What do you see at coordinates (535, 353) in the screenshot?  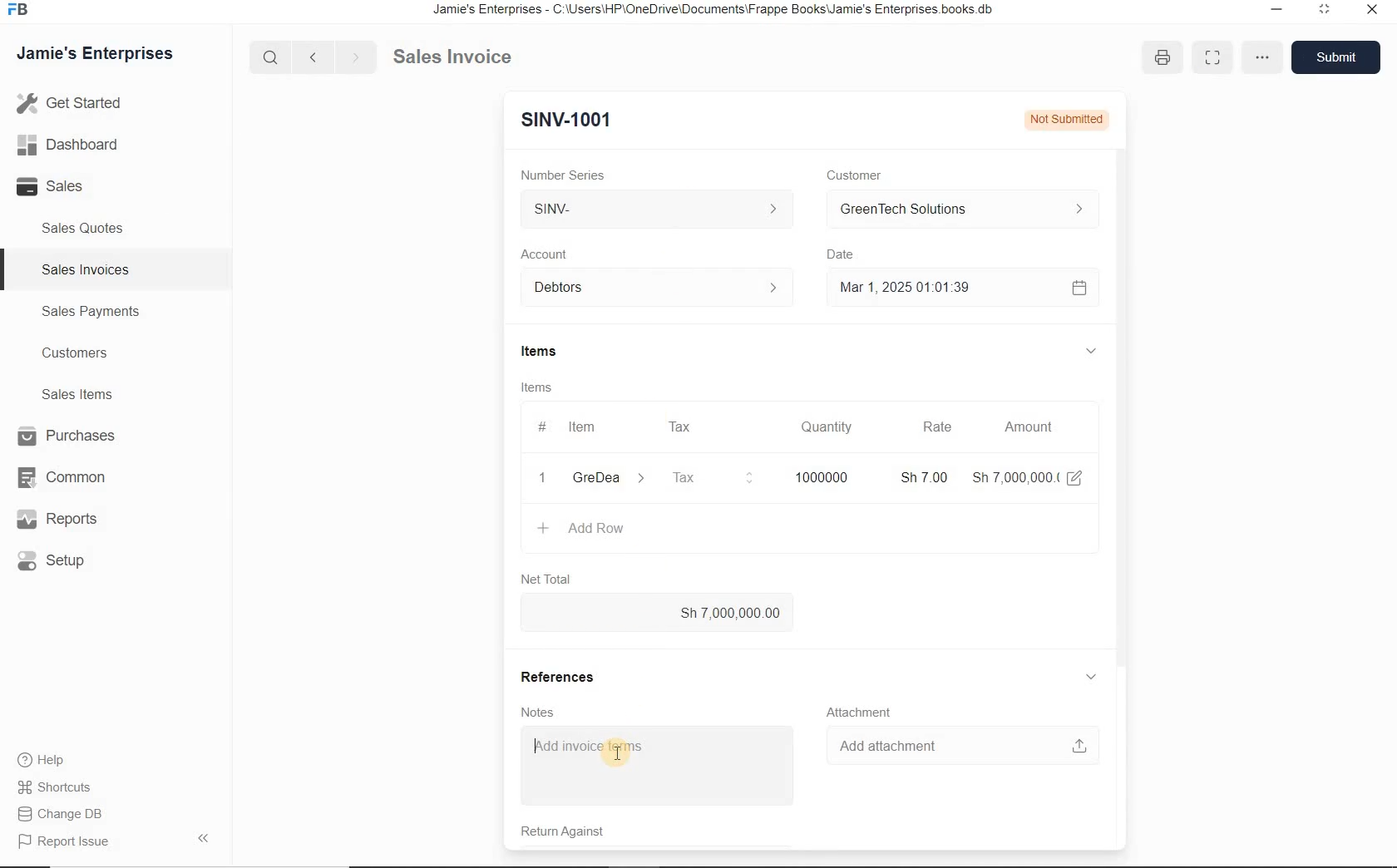 I see `Items` at bounding box center [535, 353].